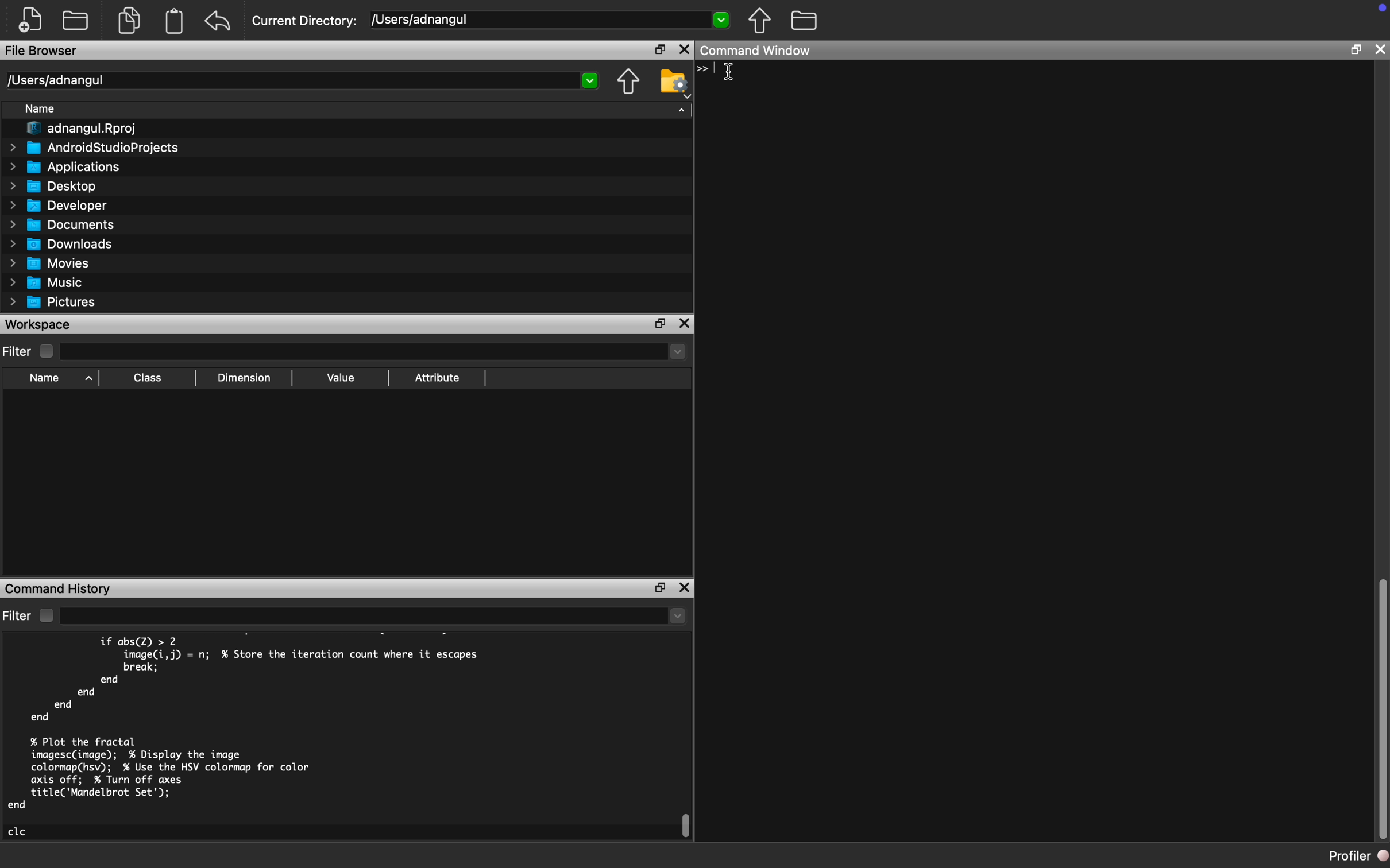  I want to click on Restore Down, so click(659, 322).